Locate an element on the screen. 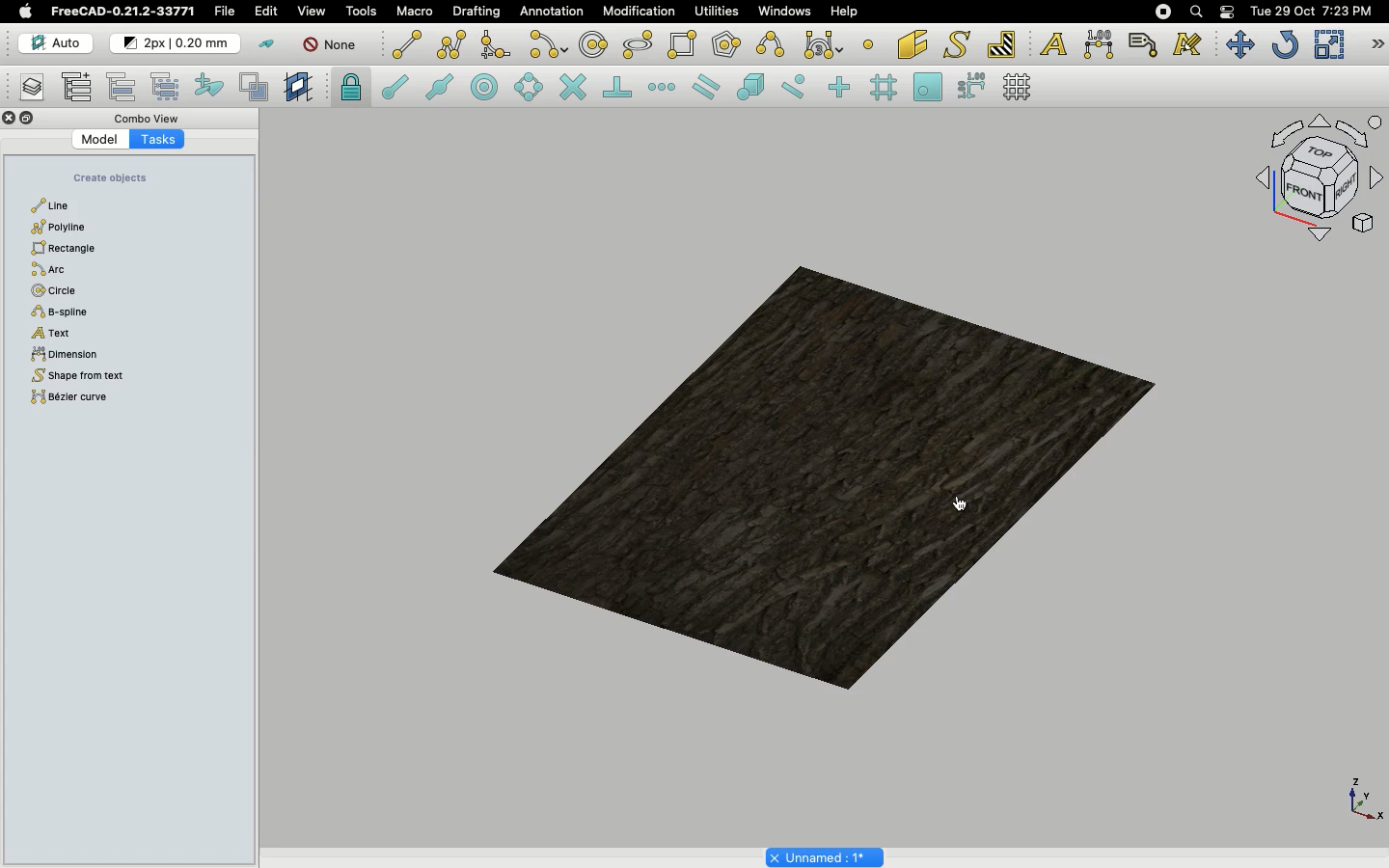 The image size is (1389, 868). Drafting is located at coordinates (477, 13).